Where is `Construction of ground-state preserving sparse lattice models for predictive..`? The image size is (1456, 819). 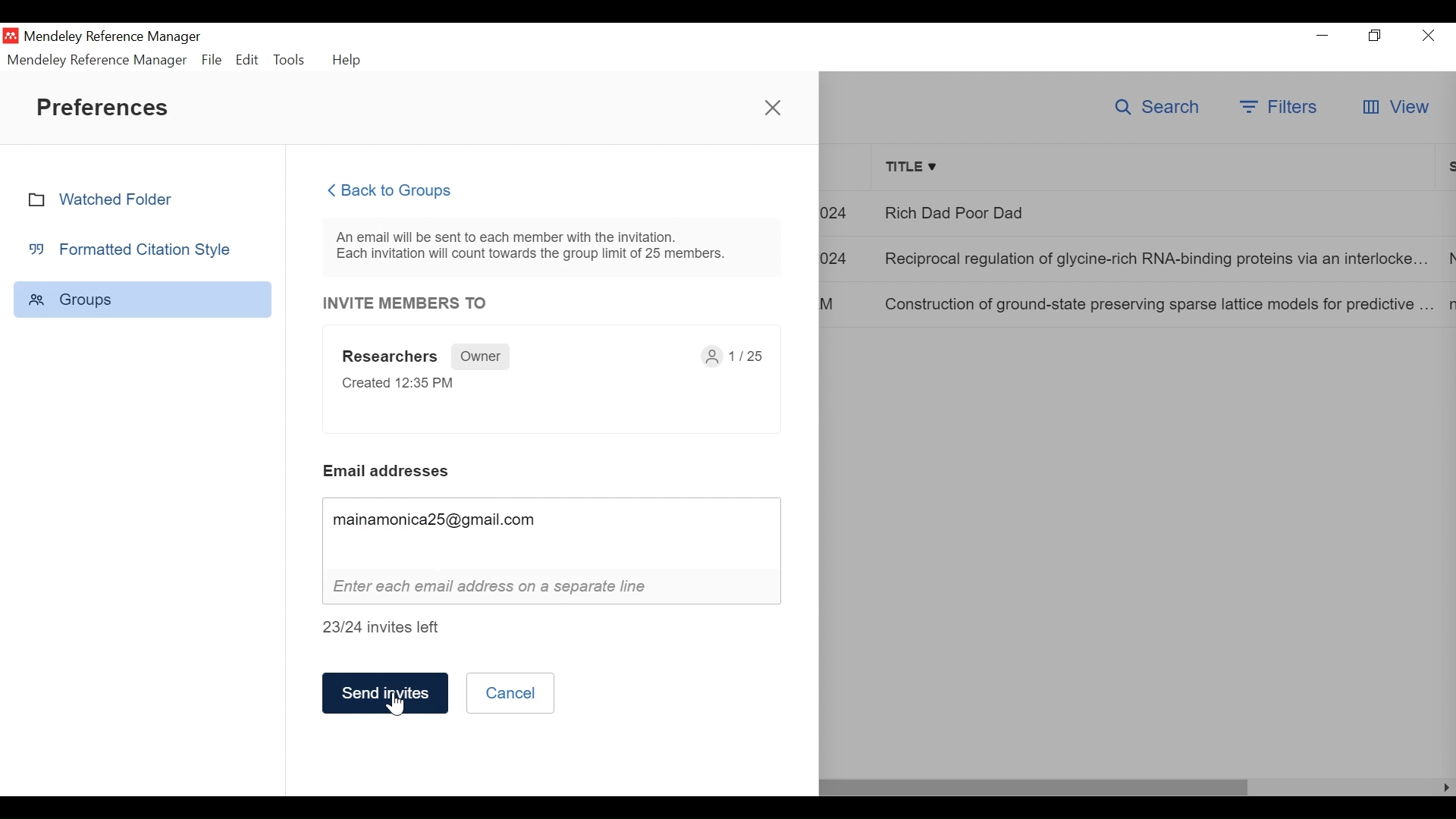 Construction of ground-state preserving sparse lattice models for predictive.. is located at coordinates (1157, 303).